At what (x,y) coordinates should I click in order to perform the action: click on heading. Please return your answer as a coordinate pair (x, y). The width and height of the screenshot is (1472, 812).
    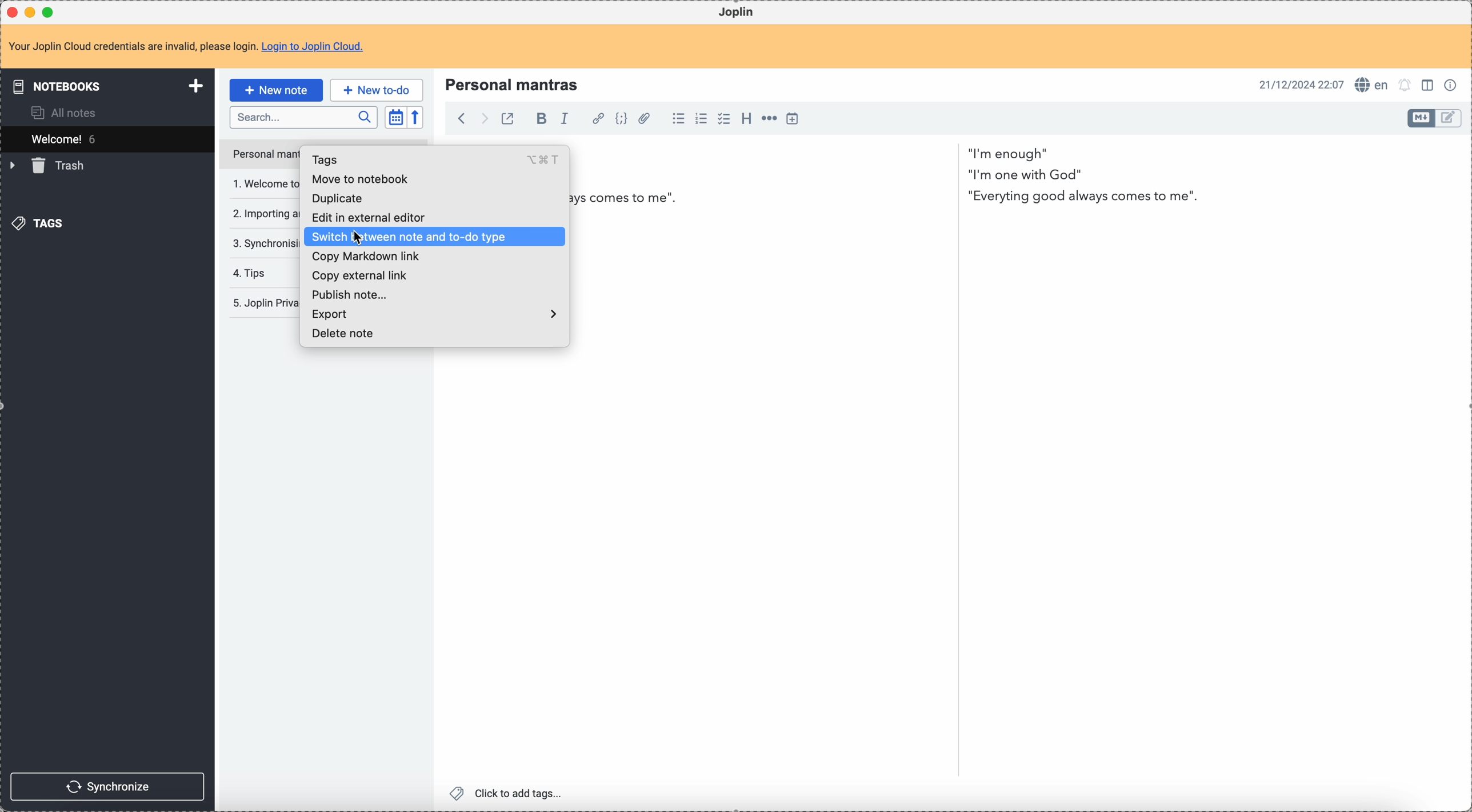
    Looking at the image, I should click on (747, 118).